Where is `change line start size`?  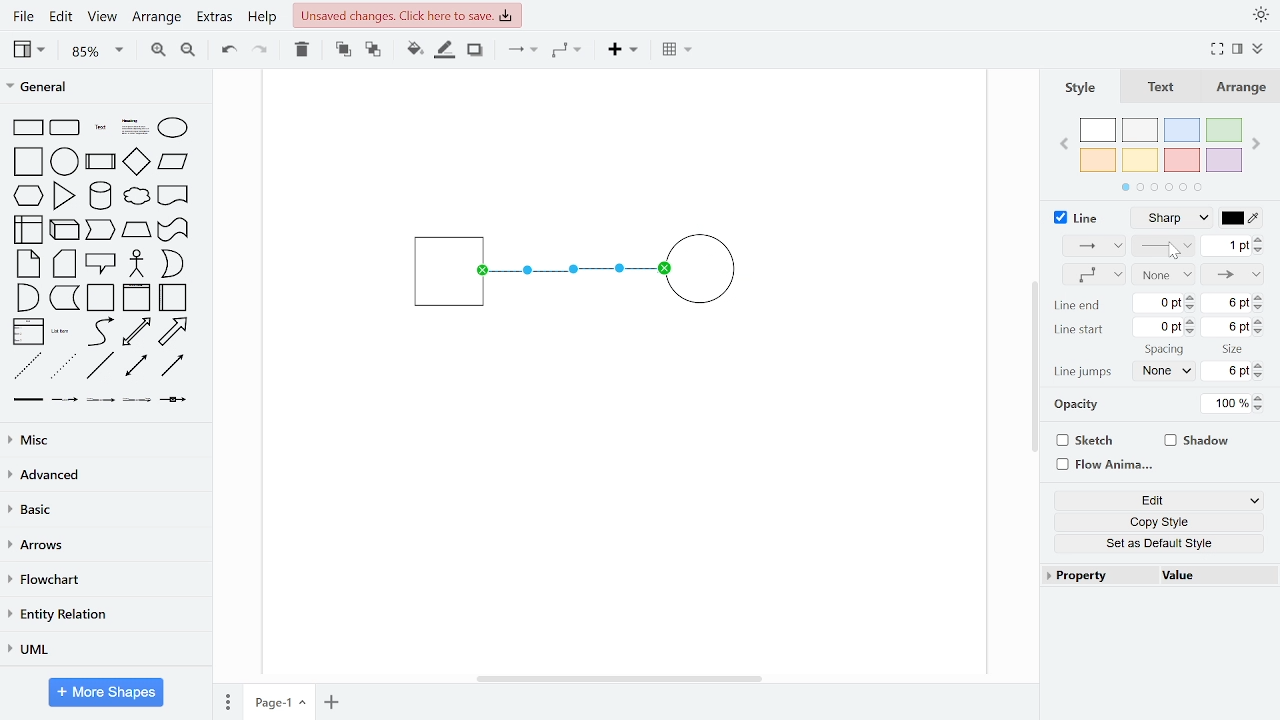
change line start size is located at coordinates (1232, 325).